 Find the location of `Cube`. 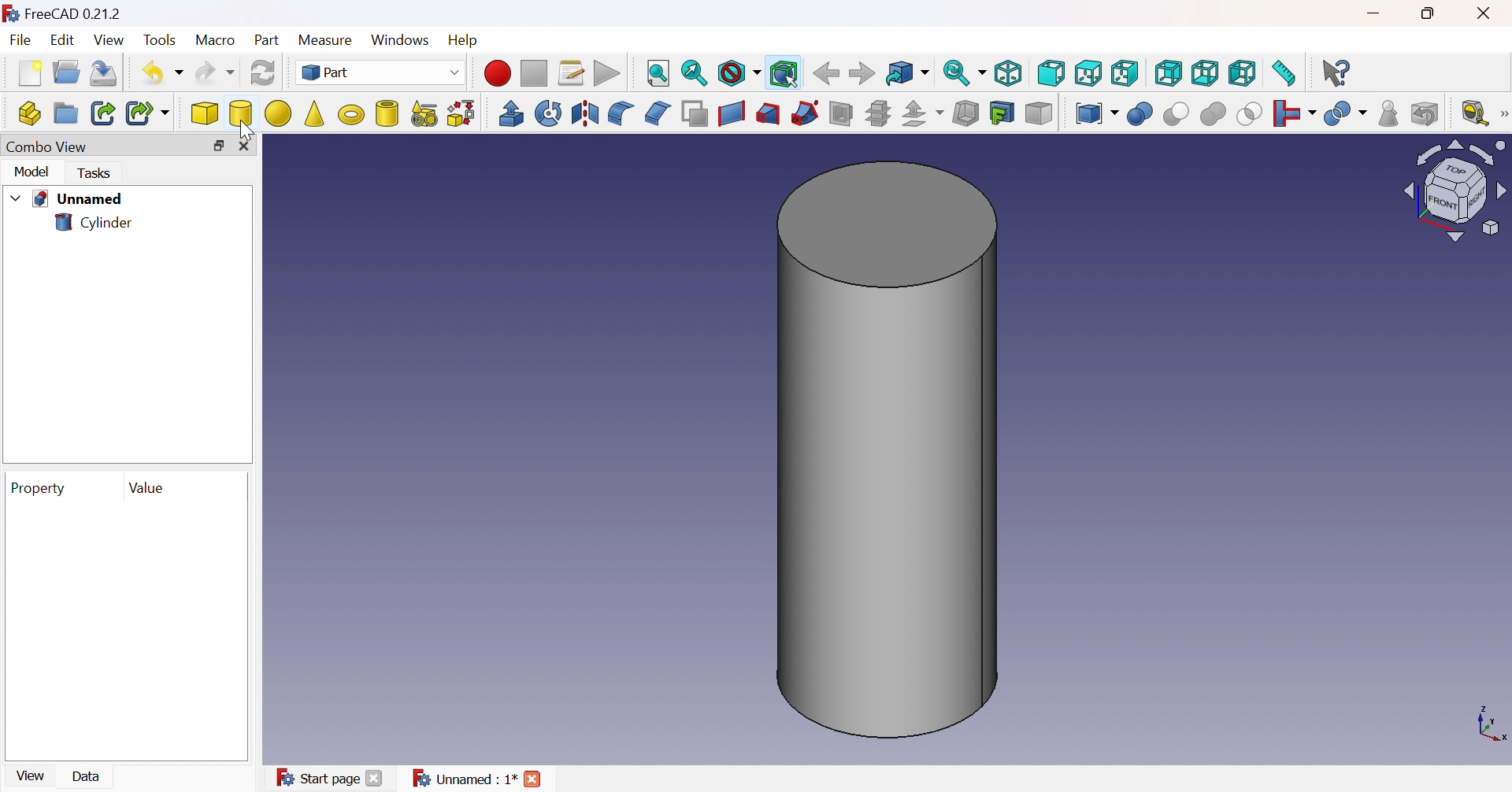

Cube is located at coordinates (206, 115).